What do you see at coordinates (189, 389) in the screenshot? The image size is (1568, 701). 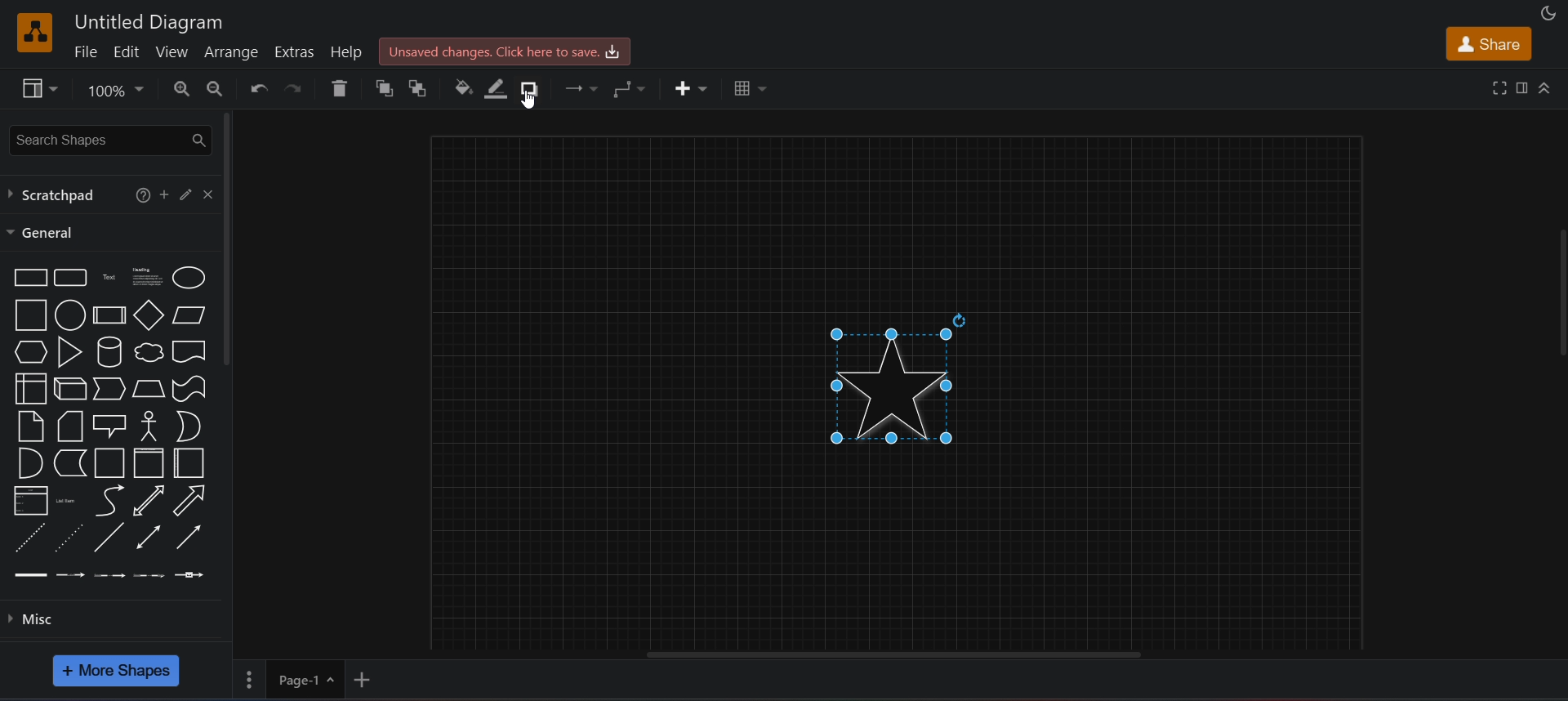 I see `tape` at bounding box center [189, 389].